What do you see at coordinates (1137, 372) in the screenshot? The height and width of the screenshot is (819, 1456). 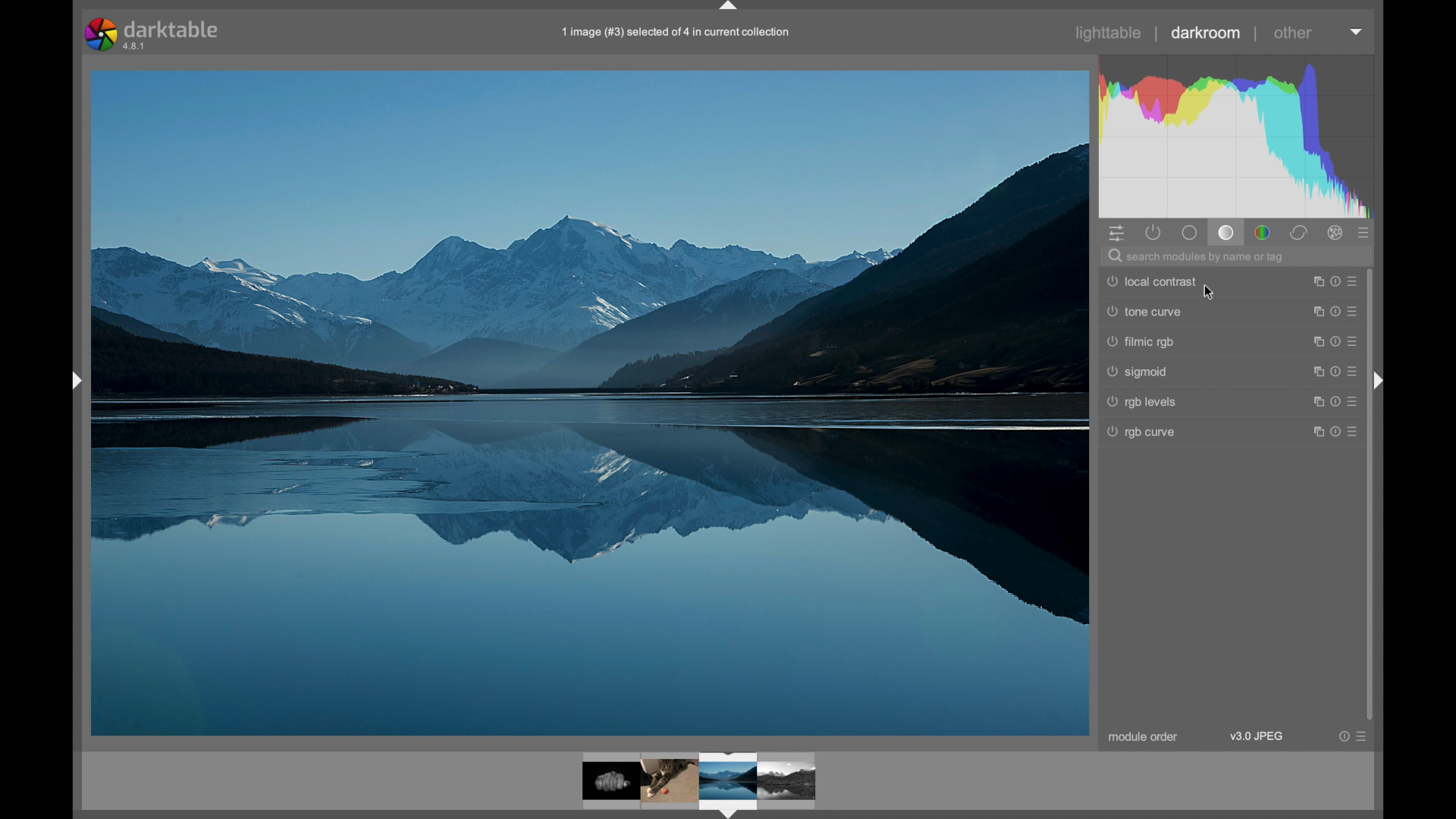 I see `sigmoid` at bounding box center [1137, 372].